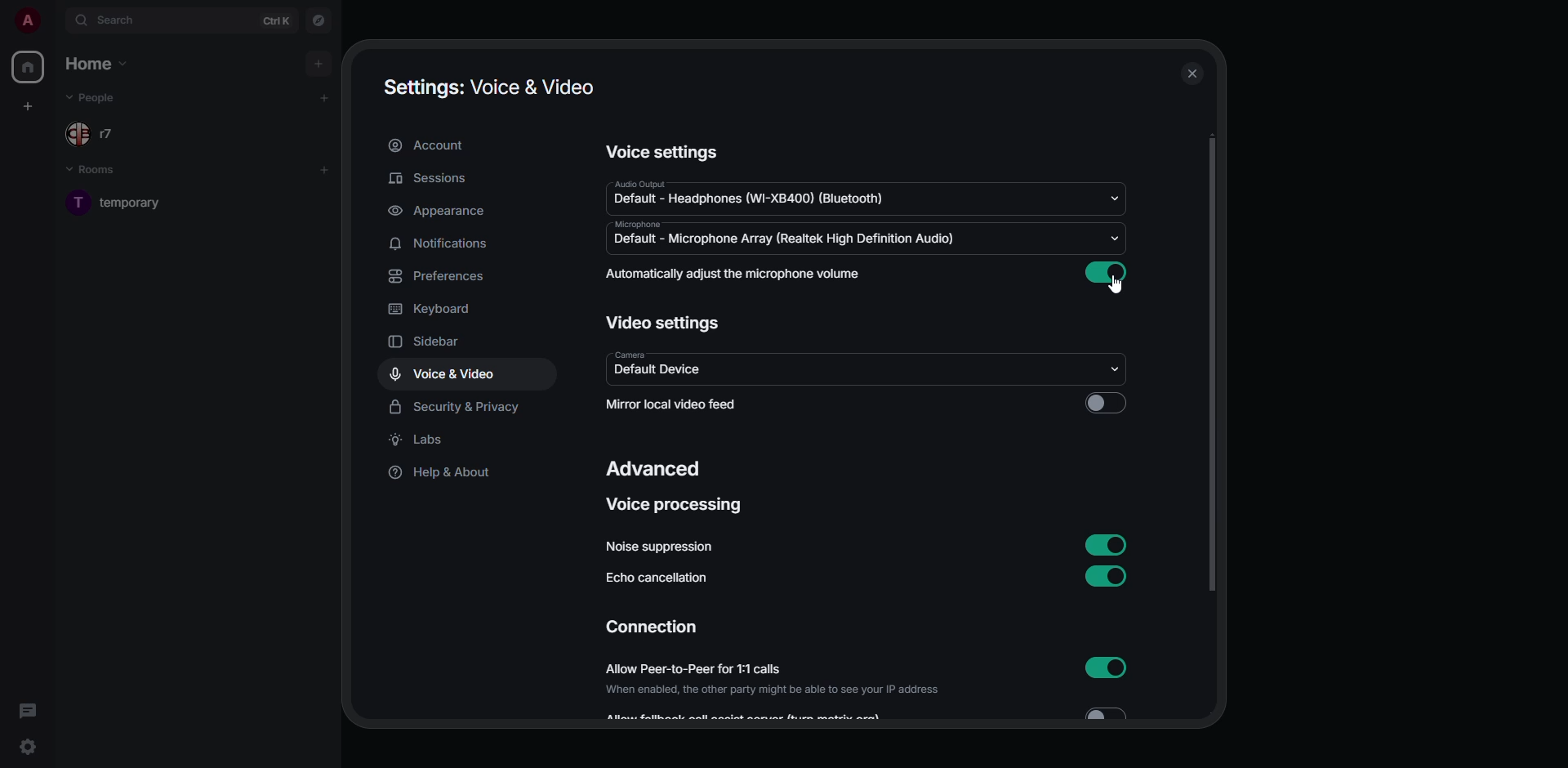  What do you see at coordinates (698, 404) in the screenshot?
I see `mirror local feed` at bounding box center [698, 404].